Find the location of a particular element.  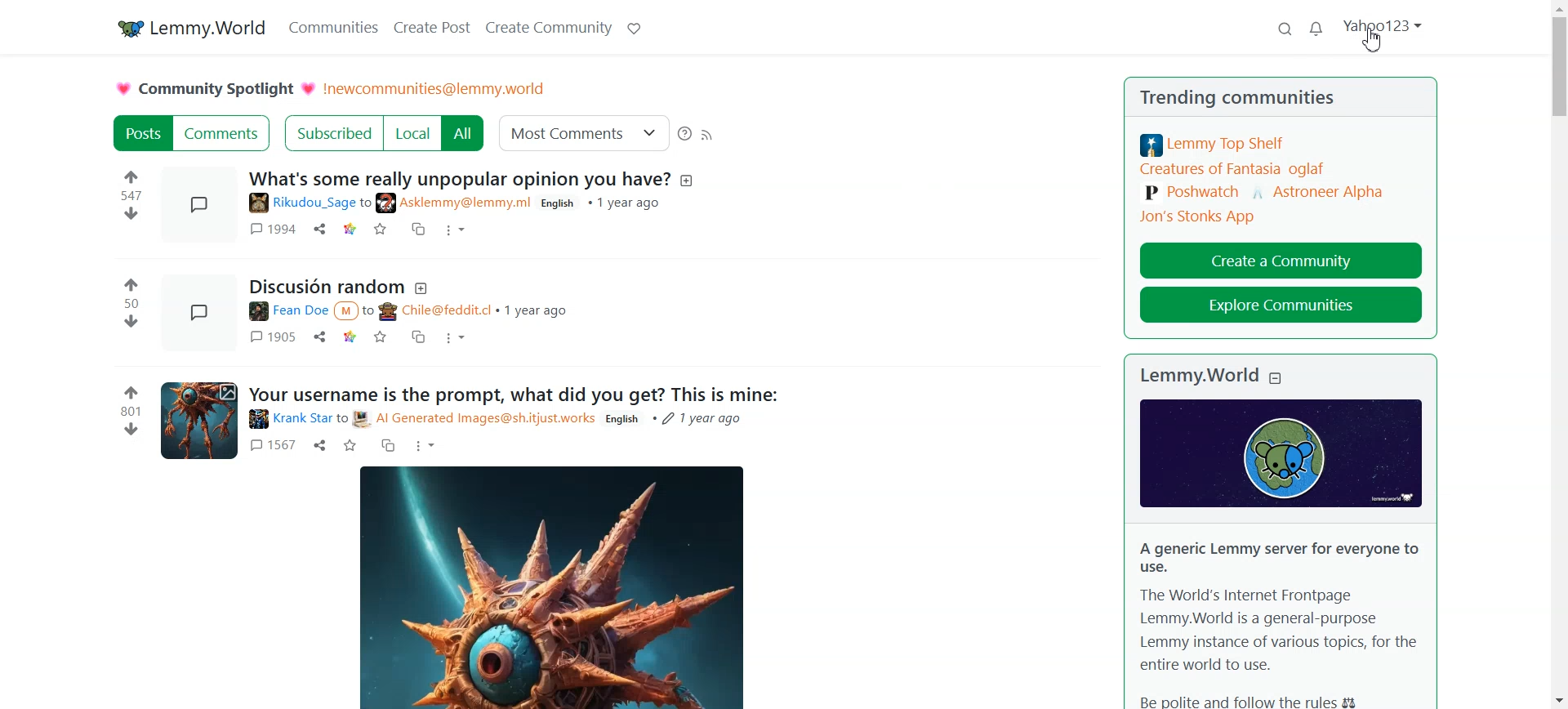

Create a Community is located at coordinates (1281, 258).